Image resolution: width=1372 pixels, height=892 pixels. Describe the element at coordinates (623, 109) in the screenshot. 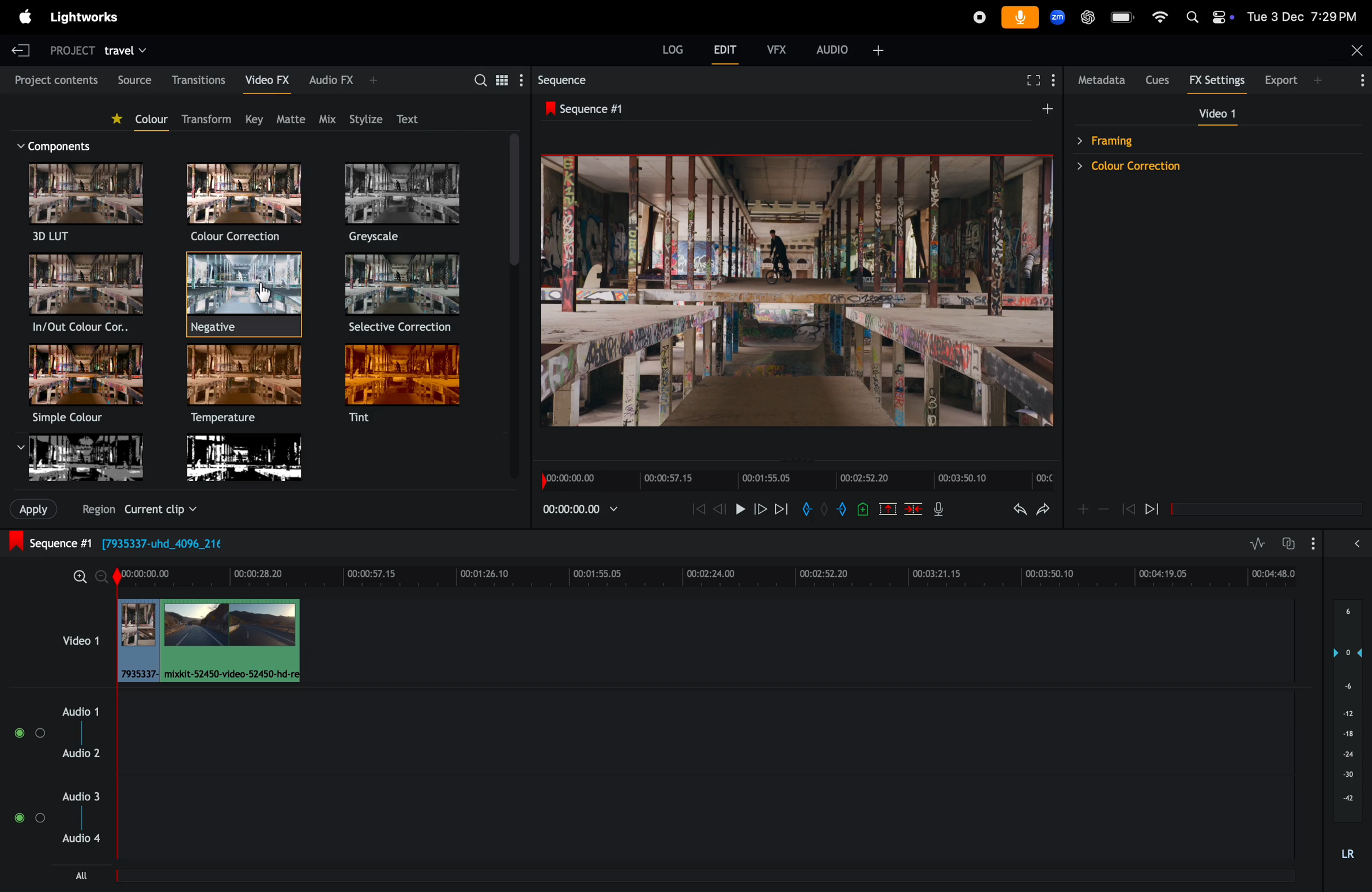

I see `sequence #1` at that location.